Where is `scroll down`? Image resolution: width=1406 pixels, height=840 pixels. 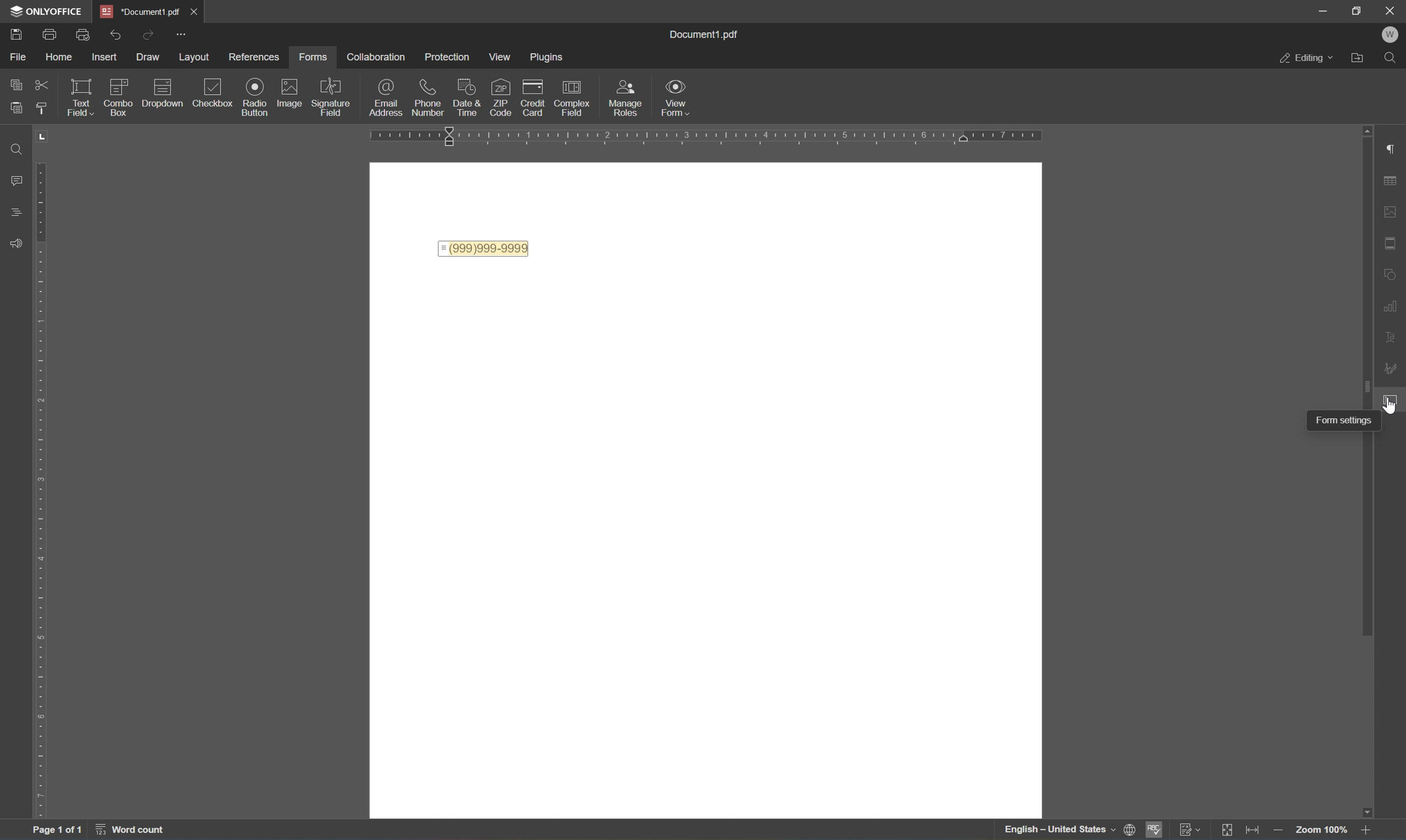
scroll down is located at coordinates (1373, 816).